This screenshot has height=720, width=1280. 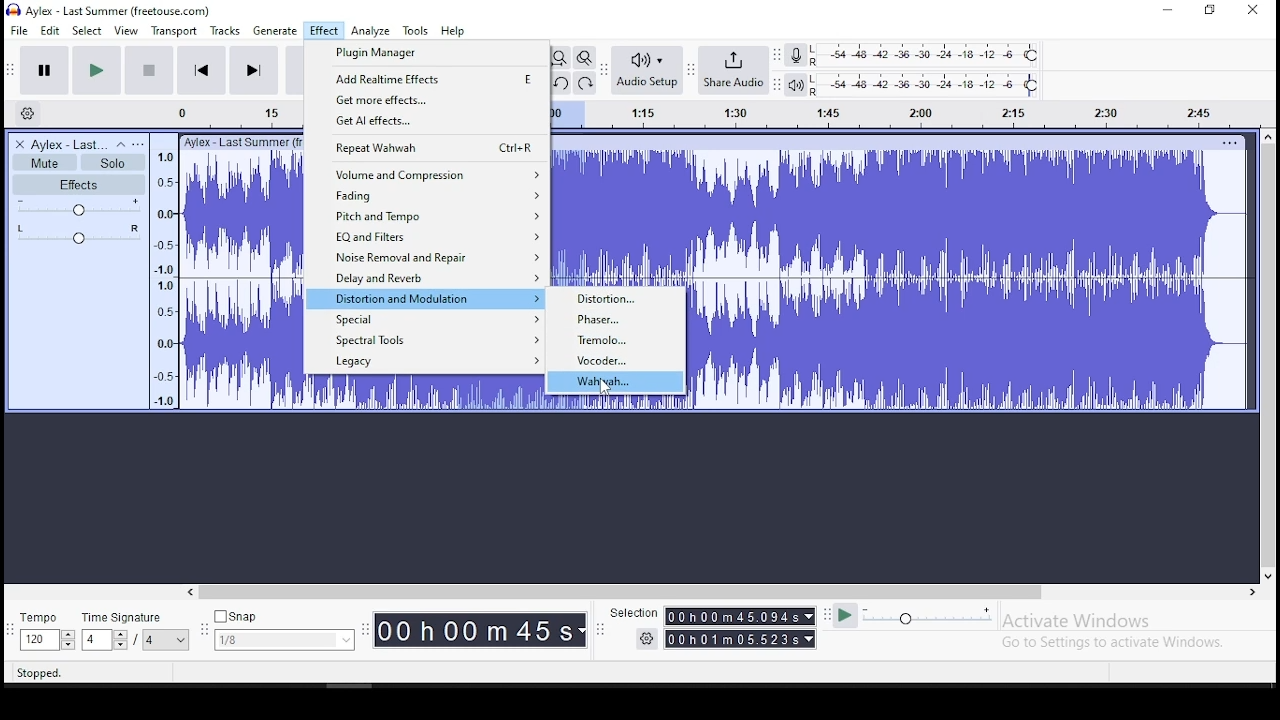 What do you see at coordinates (426, 257) in the screenshot?
I see `noise removal` at bounding box center [426, 257].